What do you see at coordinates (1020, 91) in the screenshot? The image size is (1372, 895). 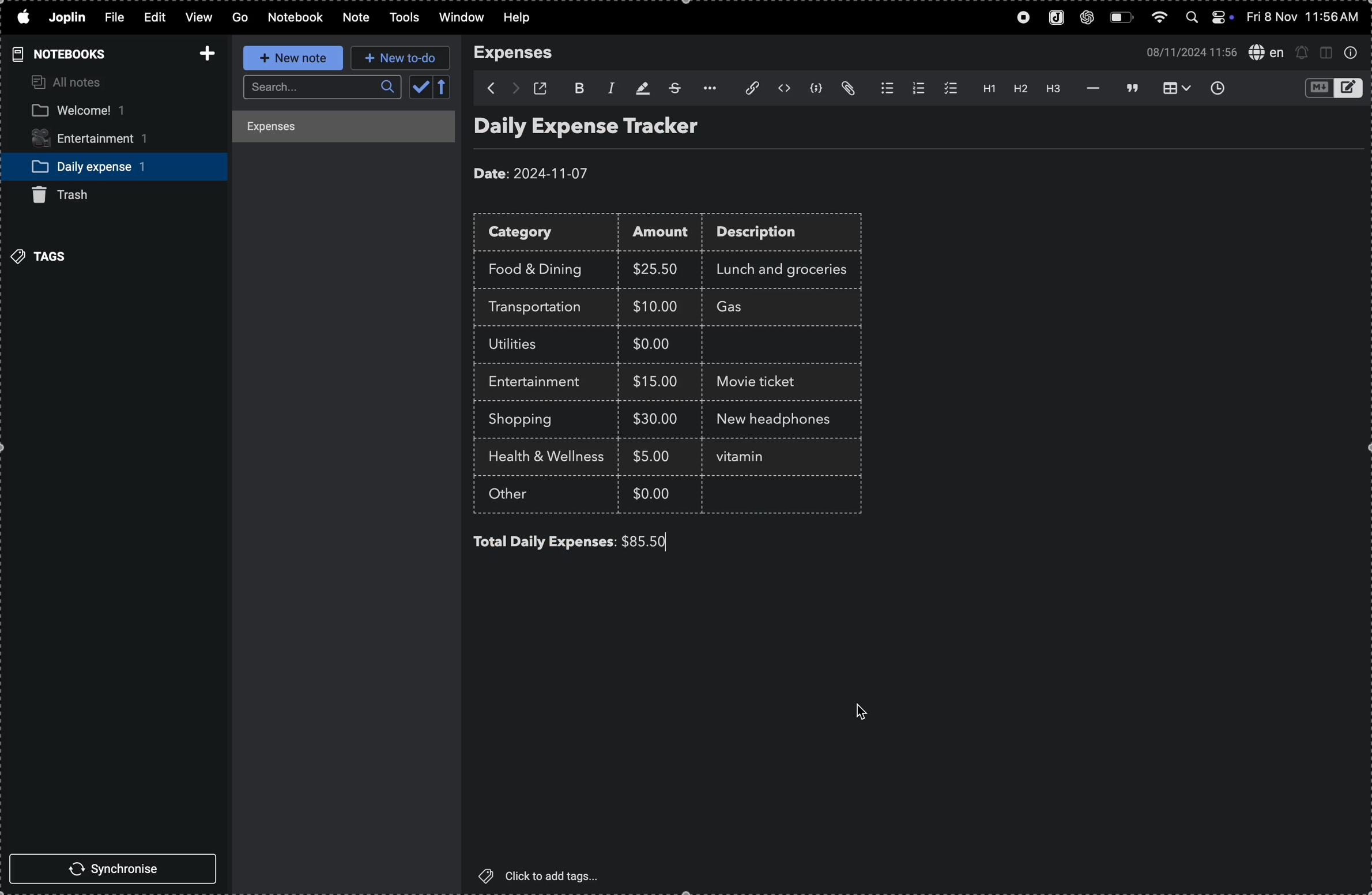 I see `heading 2` at bounding box center [1020, 91].